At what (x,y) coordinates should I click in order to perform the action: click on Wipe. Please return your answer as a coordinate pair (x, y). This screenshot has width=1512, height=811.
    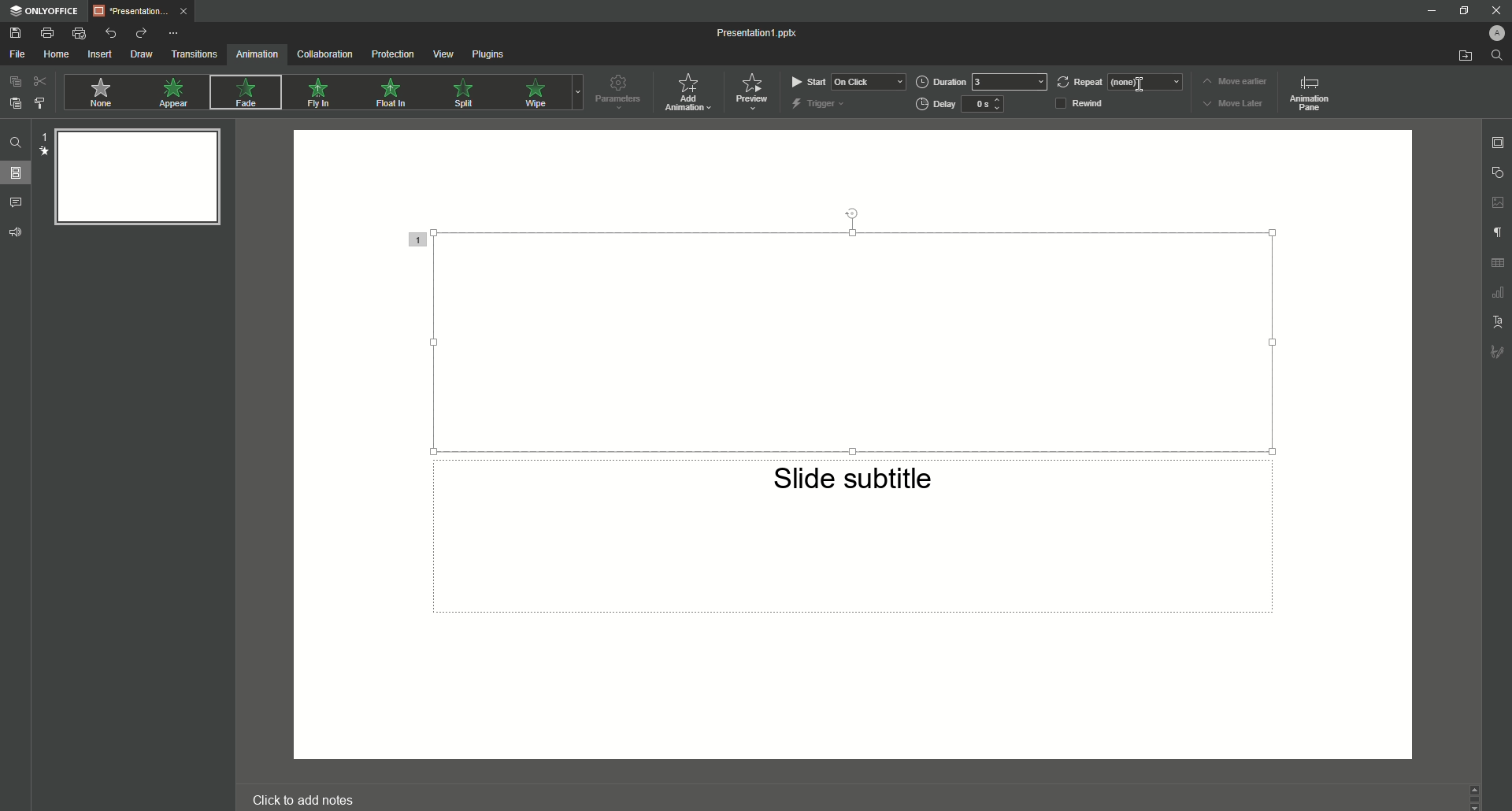
    Looking at the image, I should click on (535, 93).